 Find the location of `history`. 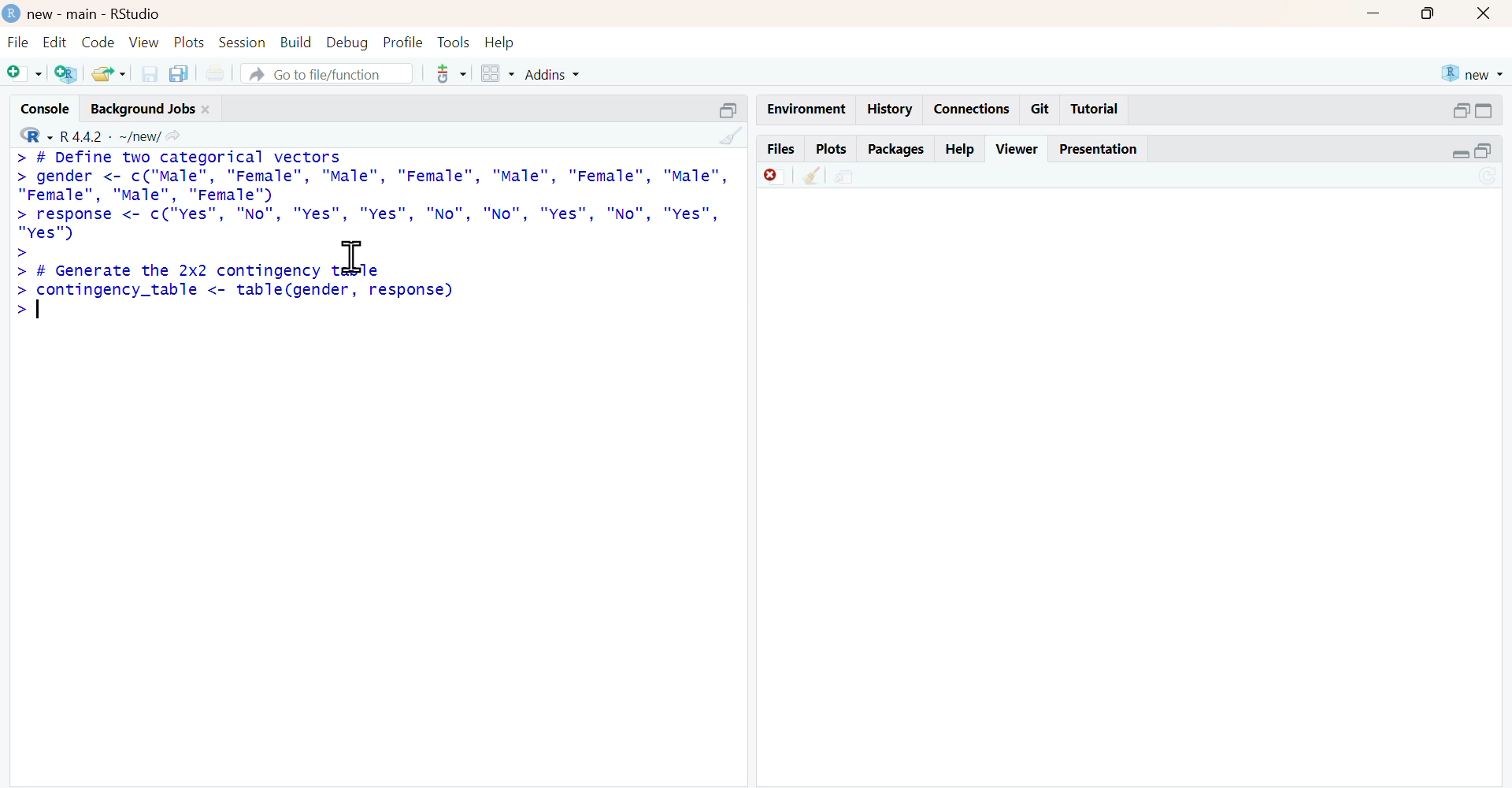

history is located at coordinates (891, 108).